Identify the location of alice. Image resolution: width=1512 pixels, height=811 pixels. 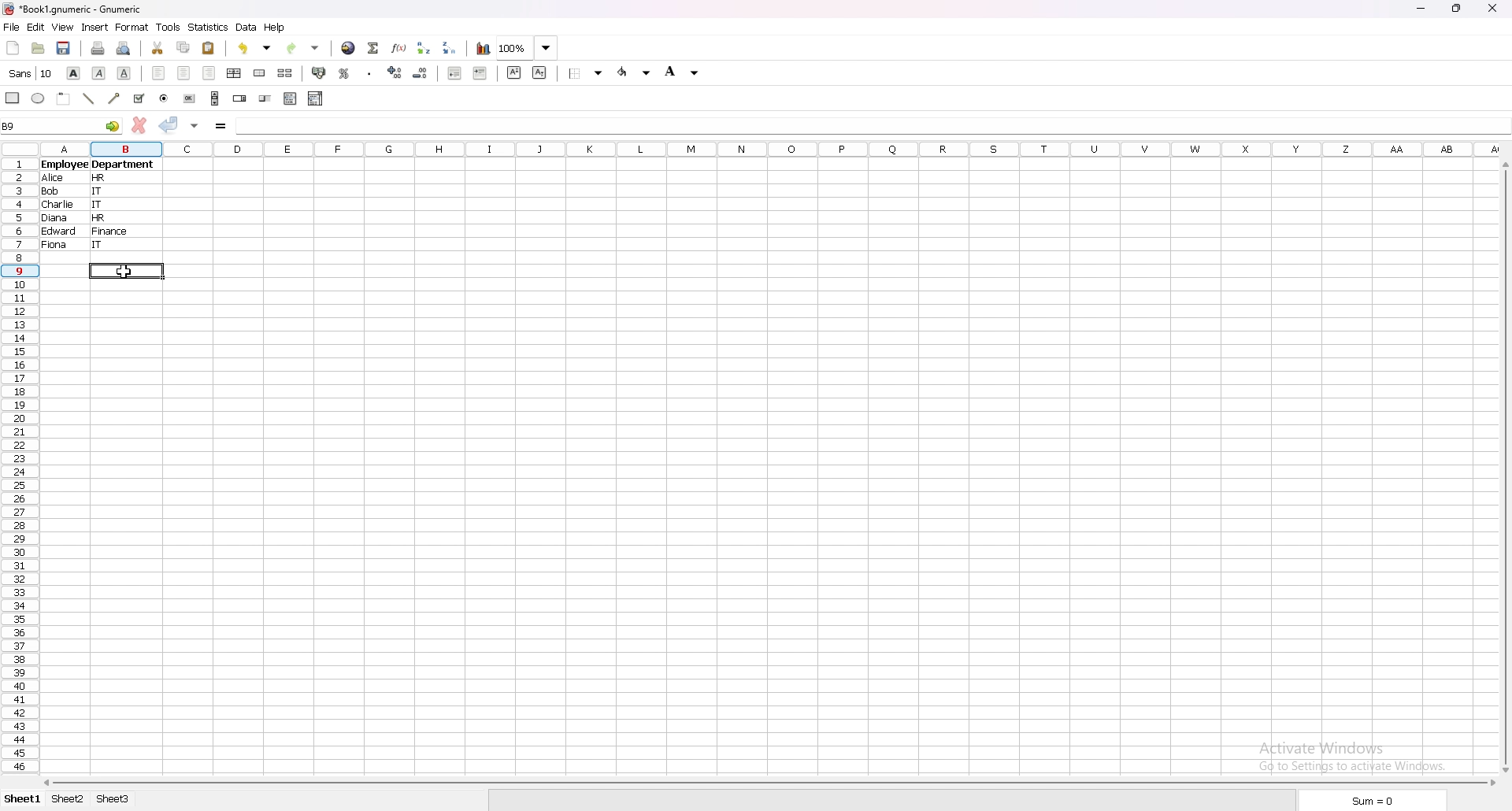
(53, 179).